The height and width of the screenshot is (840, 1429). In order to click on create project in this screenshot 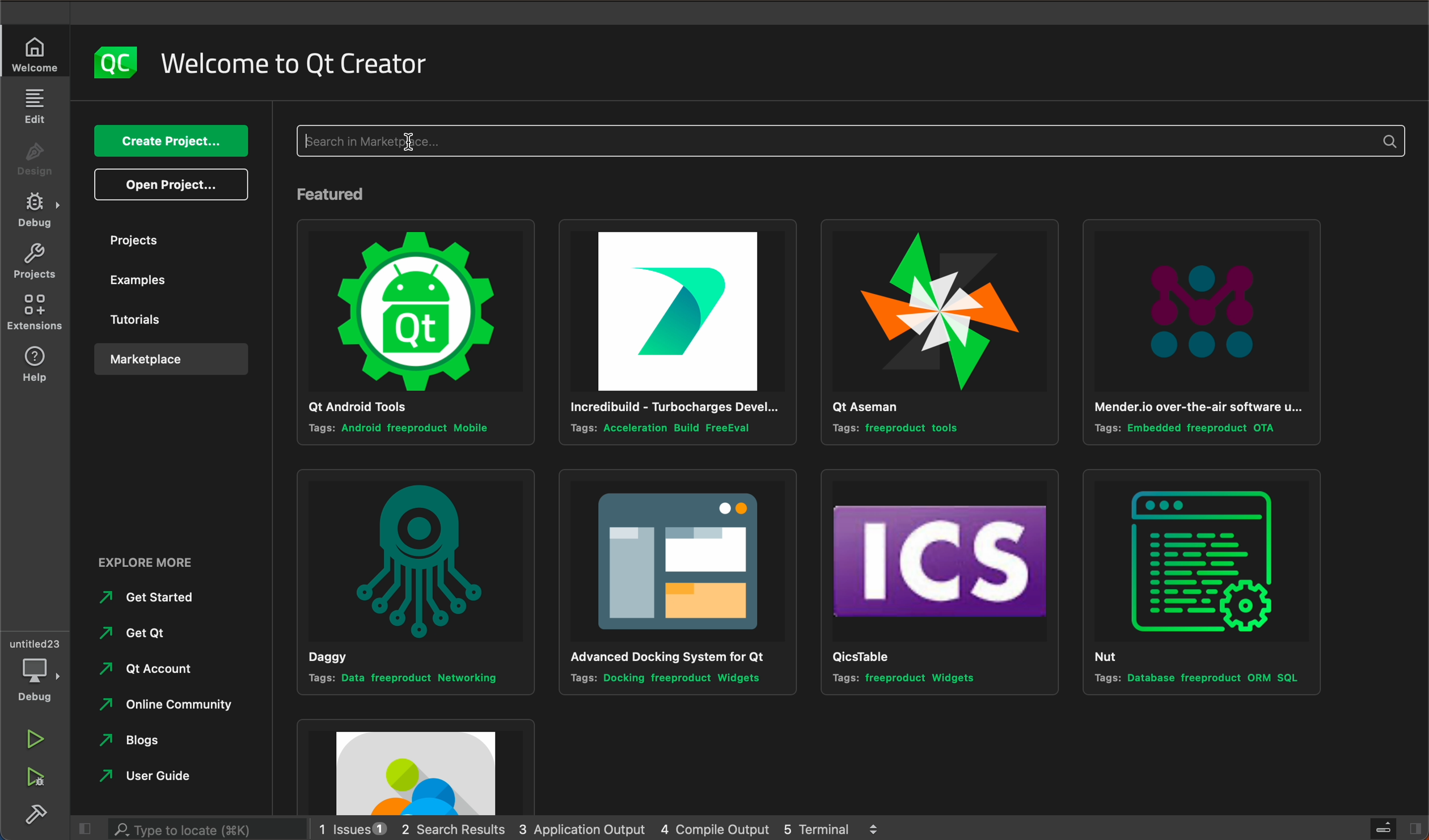, I will do `click(169, 140)`.